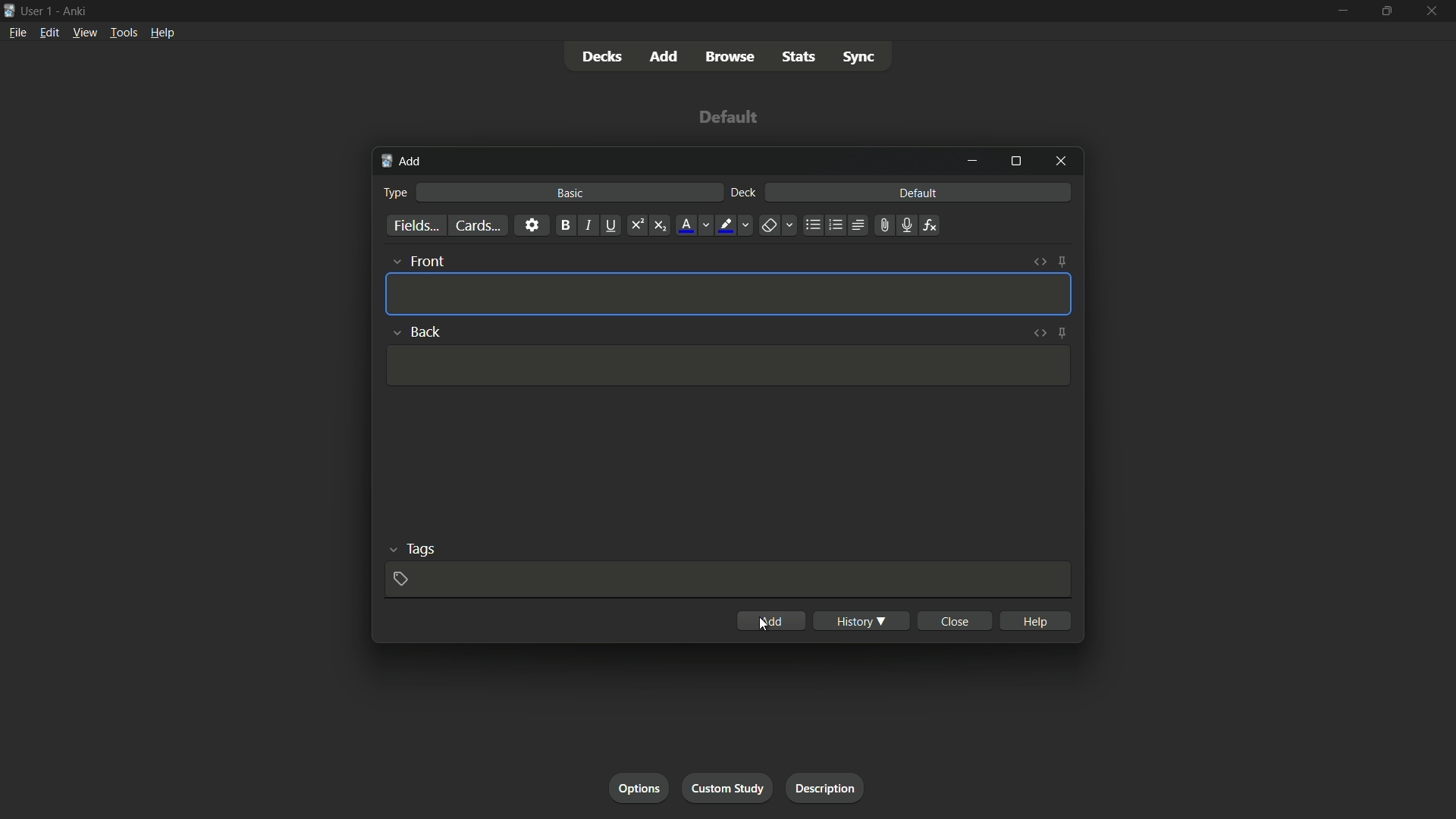 This screenshot has width=1456, height=819. Describe the element at coordinates (726, 788) in the screenshot. I see `custom study` at that location.